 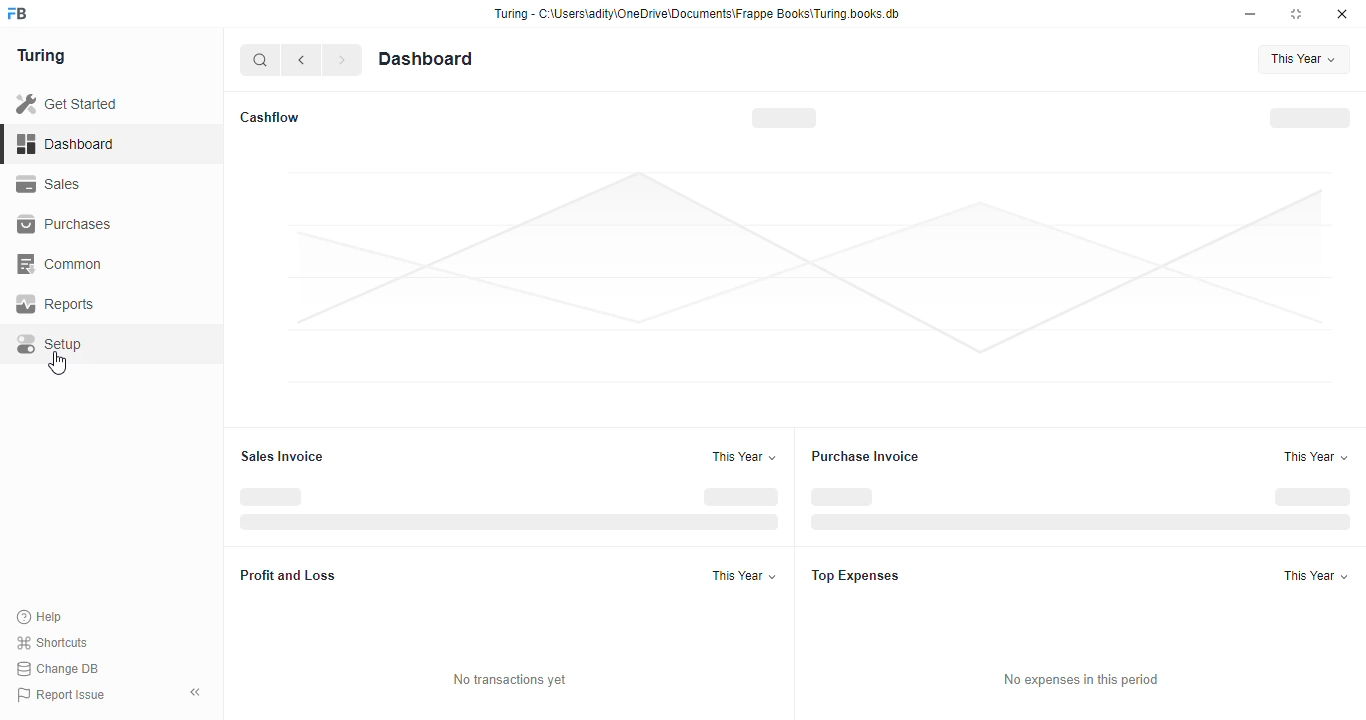 What do you see at coordinates (1345, 16) in the screenshot?
I see `close` at bounding box center [1345, 16].